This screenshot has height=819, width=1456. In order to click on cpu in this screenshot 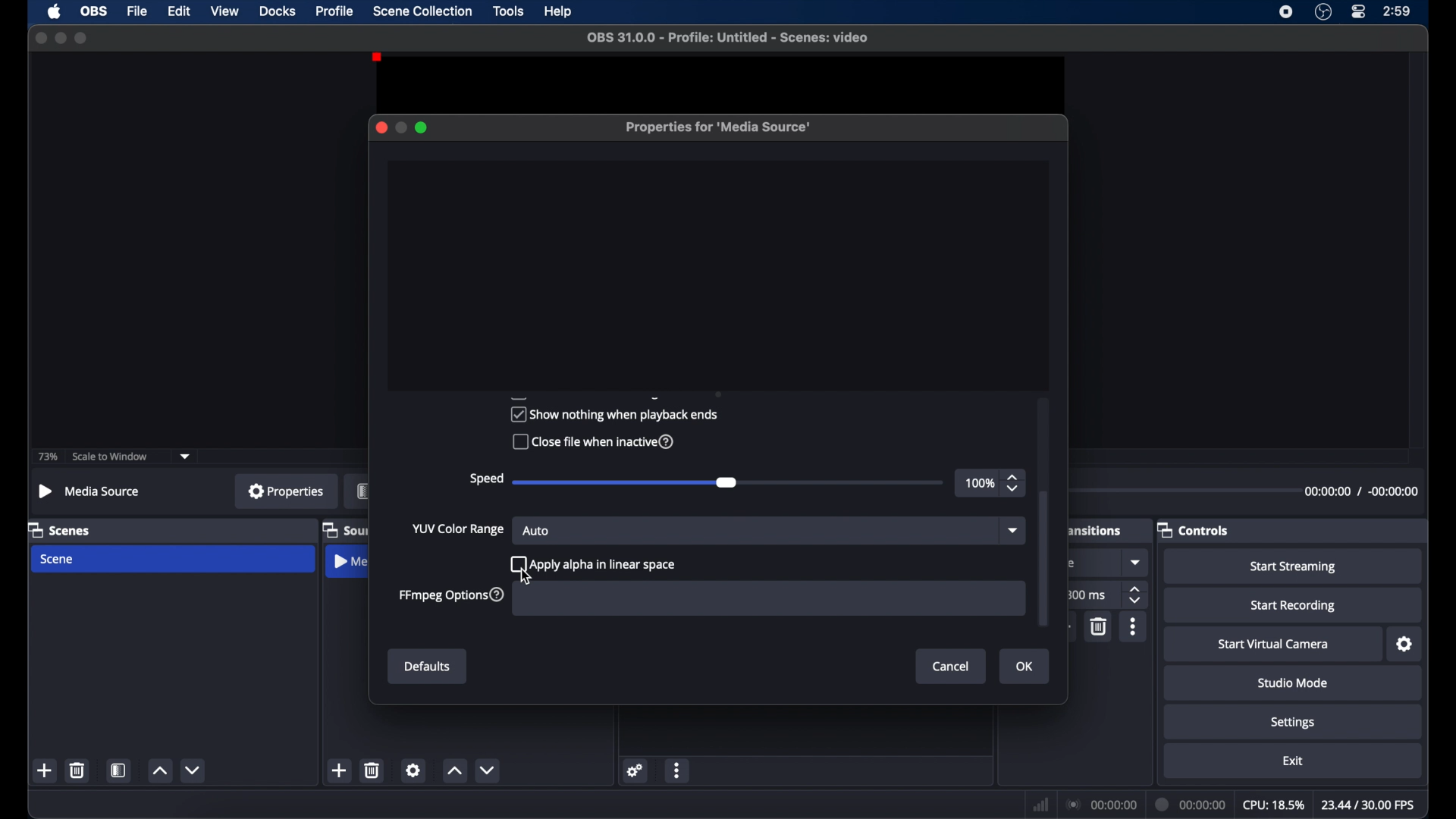, I will do `click(1274, 805)`.